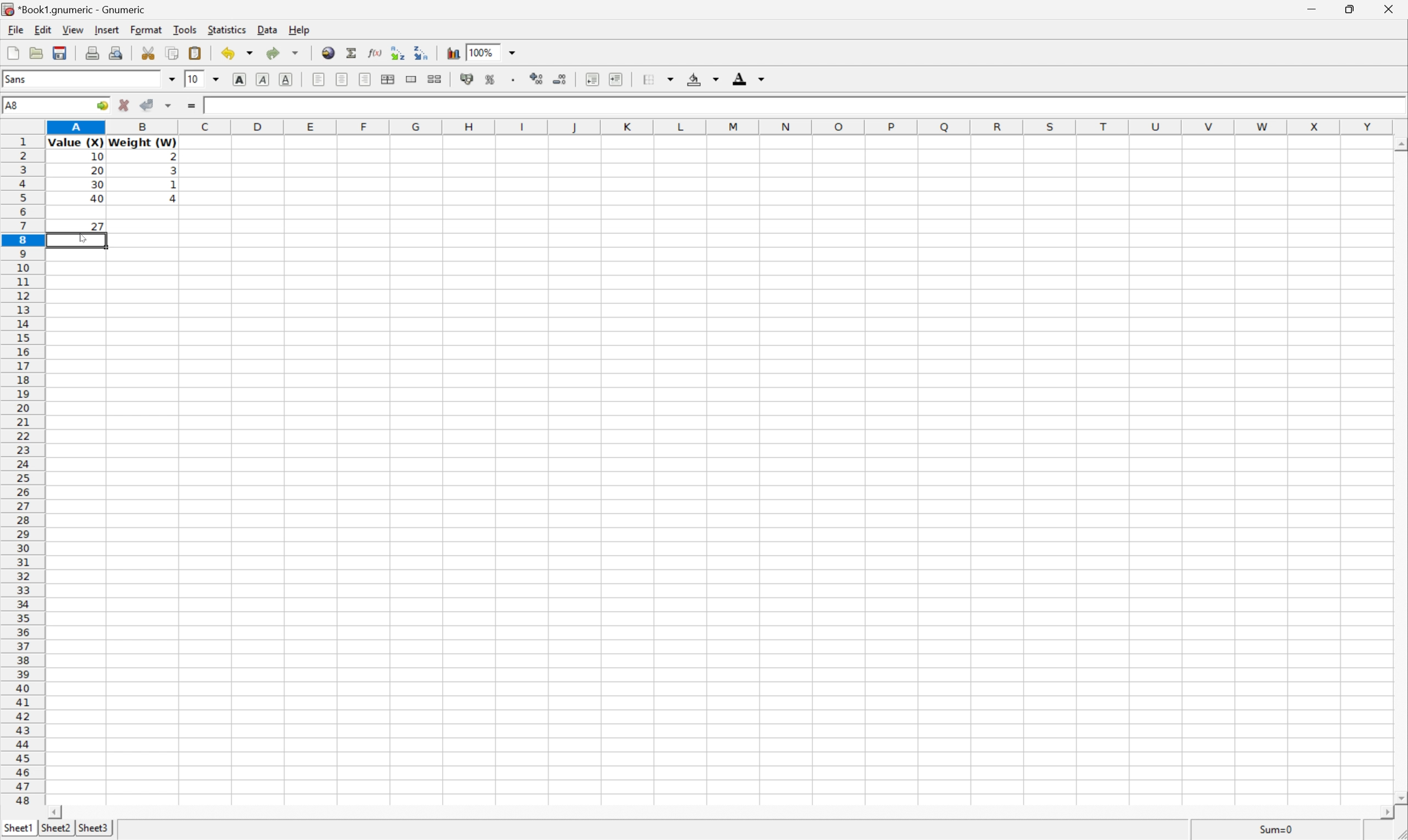 This screenshot has height=840, width=1408. Describe the element at coordinates (33, 53) in the screenshot. I see `Open a file` at that location.